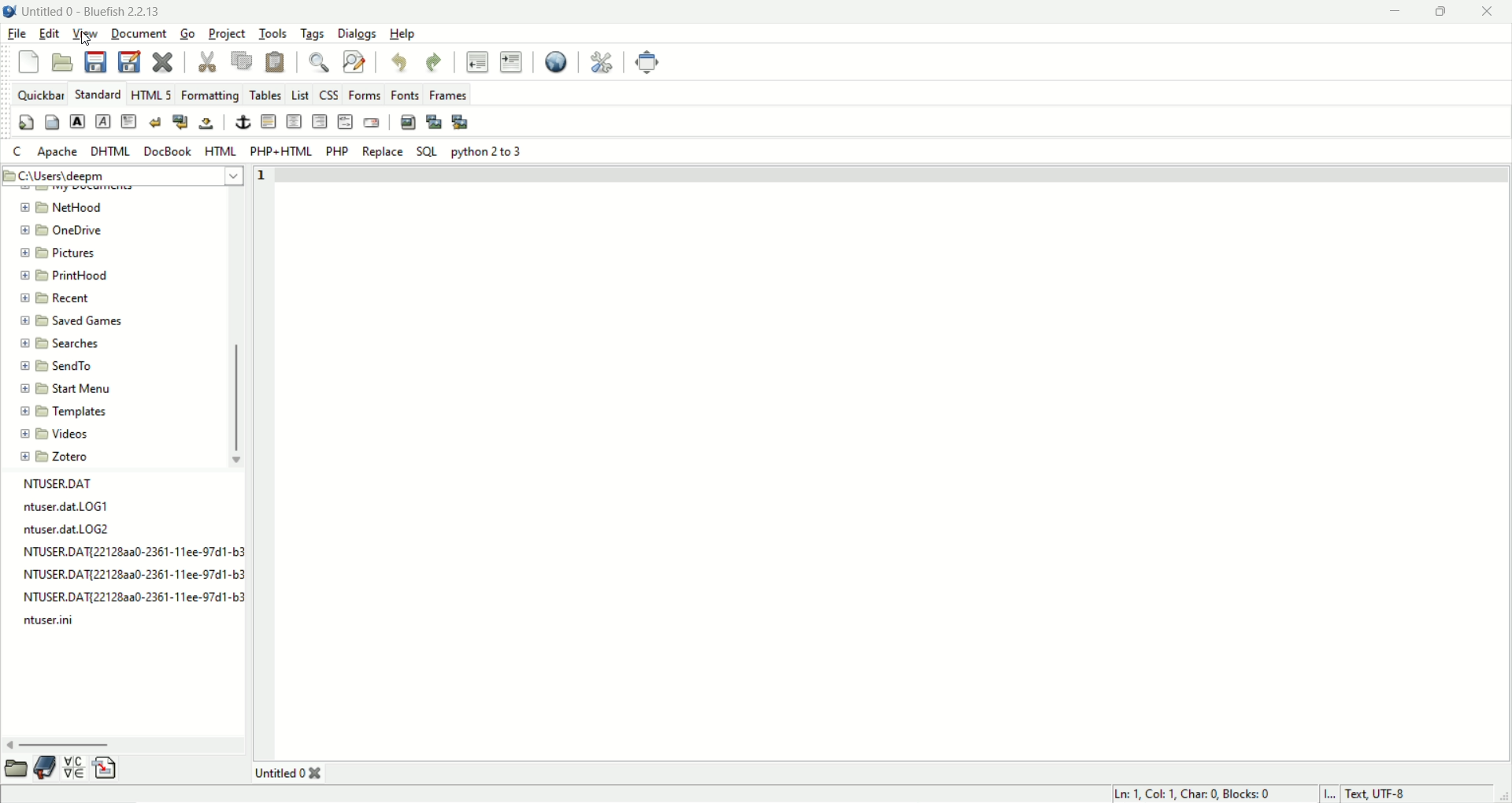 This screenshot has height=803, width=1512. What do you see at coordinates (267, 122) in the screenshot?
I see `horizontal rule` at bounding box center [267, 122].